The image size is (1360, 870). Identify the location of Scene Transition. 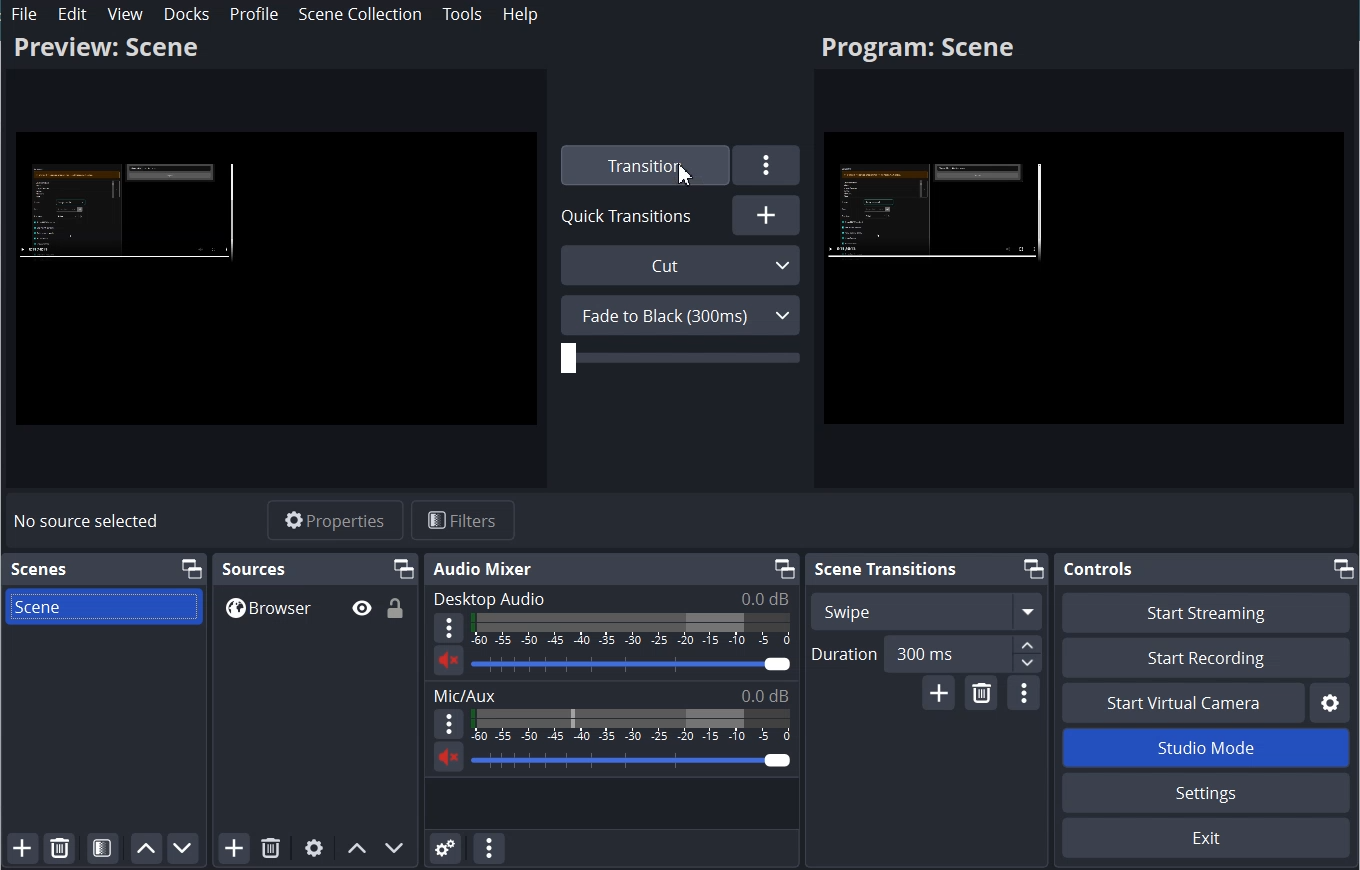
(885, 568).